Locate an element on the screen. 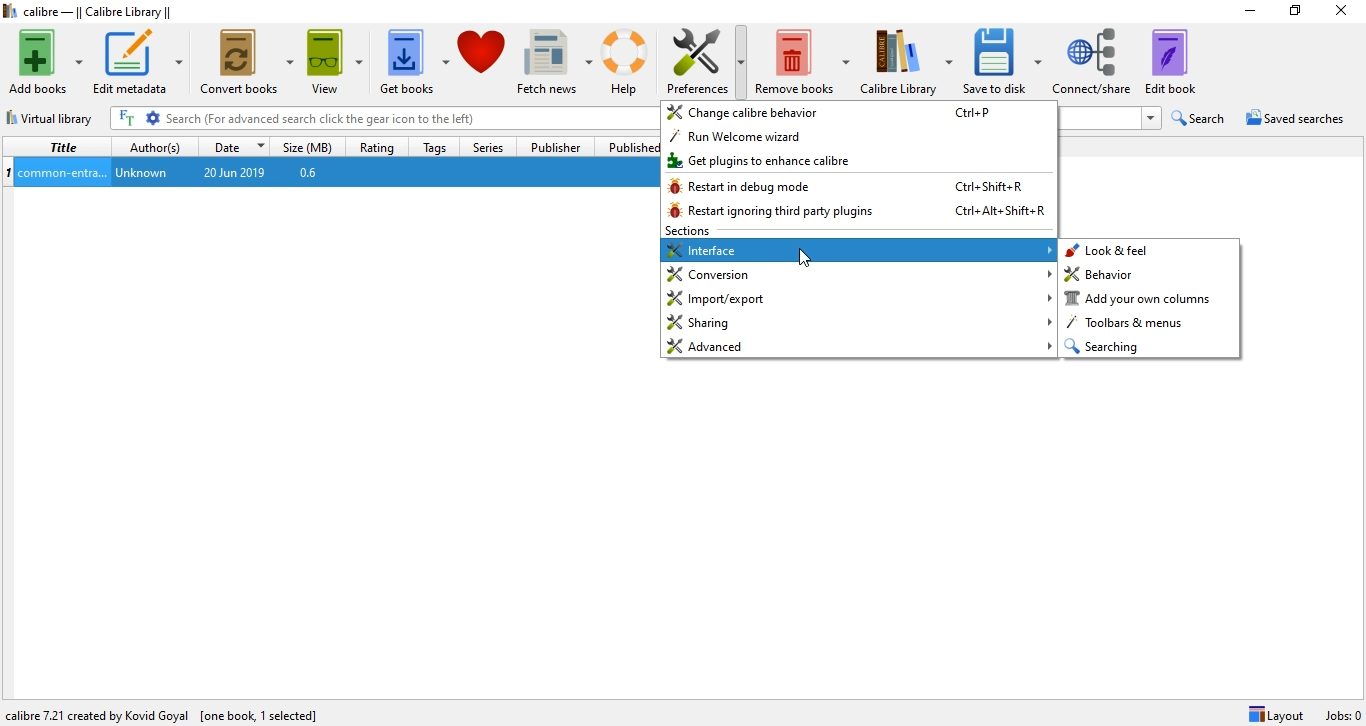  run welcome wizard is located at coordinates (860, 139).